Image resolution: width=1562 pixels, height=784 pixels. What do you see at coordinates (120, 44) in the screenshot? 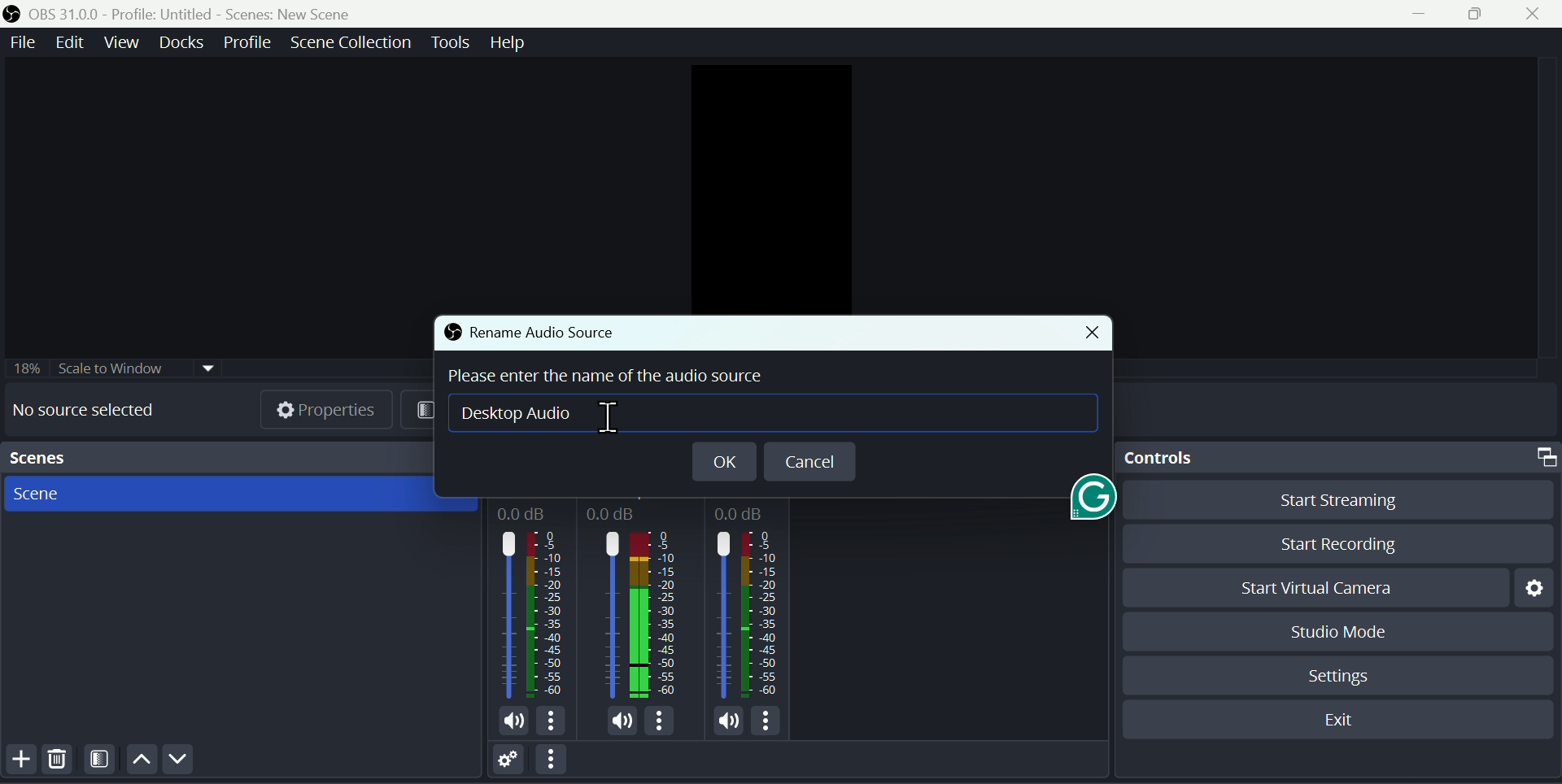
I see `View` at bounding box center [120, 44].